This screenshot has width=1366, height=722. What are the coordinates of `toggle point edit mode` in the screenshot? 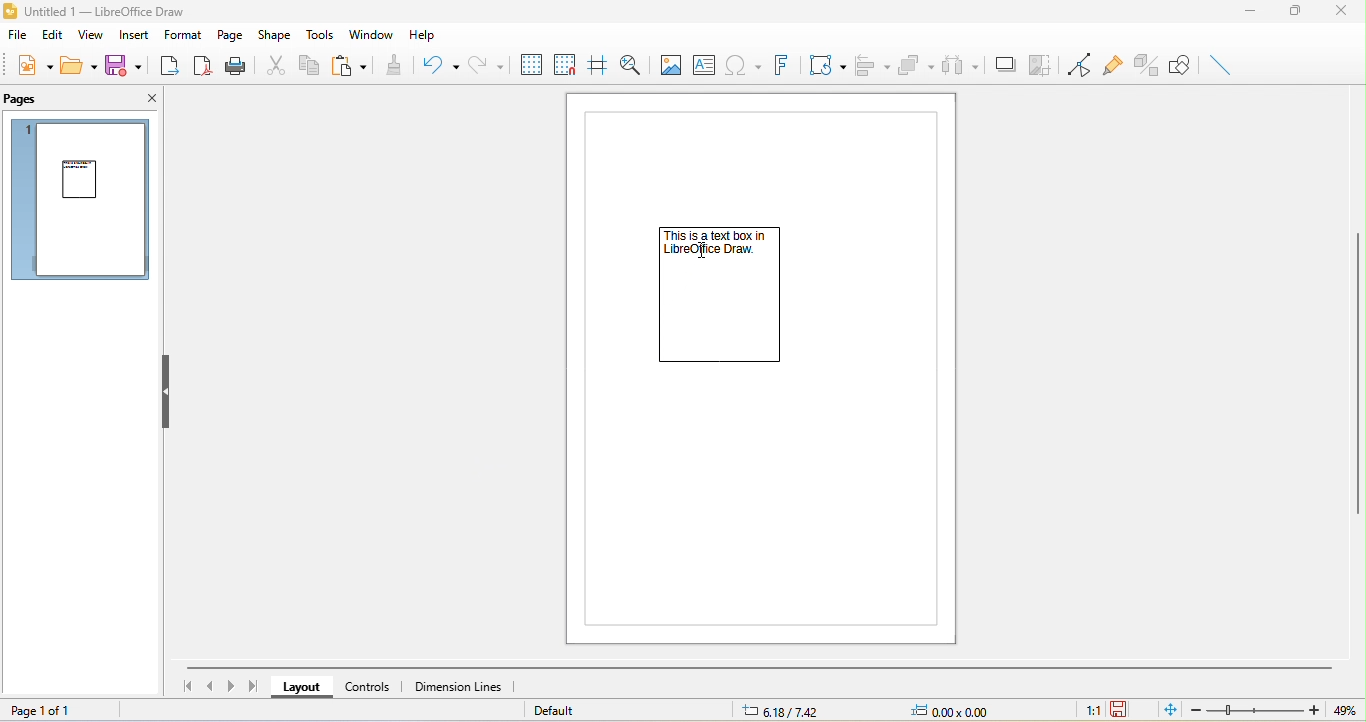 It's located at (1077, 63).